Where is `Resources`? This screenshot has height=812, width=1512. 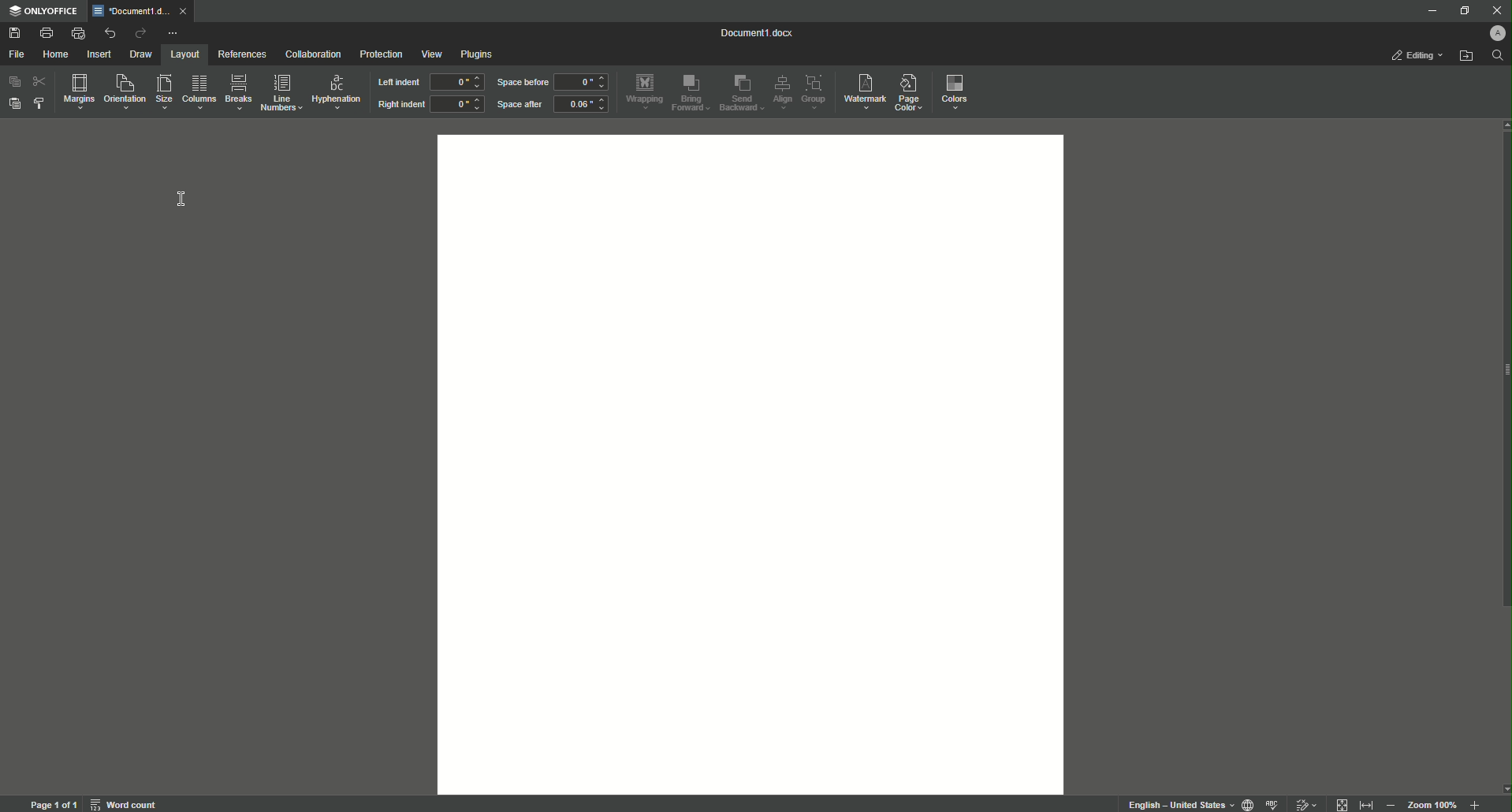 Resources is located at coordinates (240, 54).